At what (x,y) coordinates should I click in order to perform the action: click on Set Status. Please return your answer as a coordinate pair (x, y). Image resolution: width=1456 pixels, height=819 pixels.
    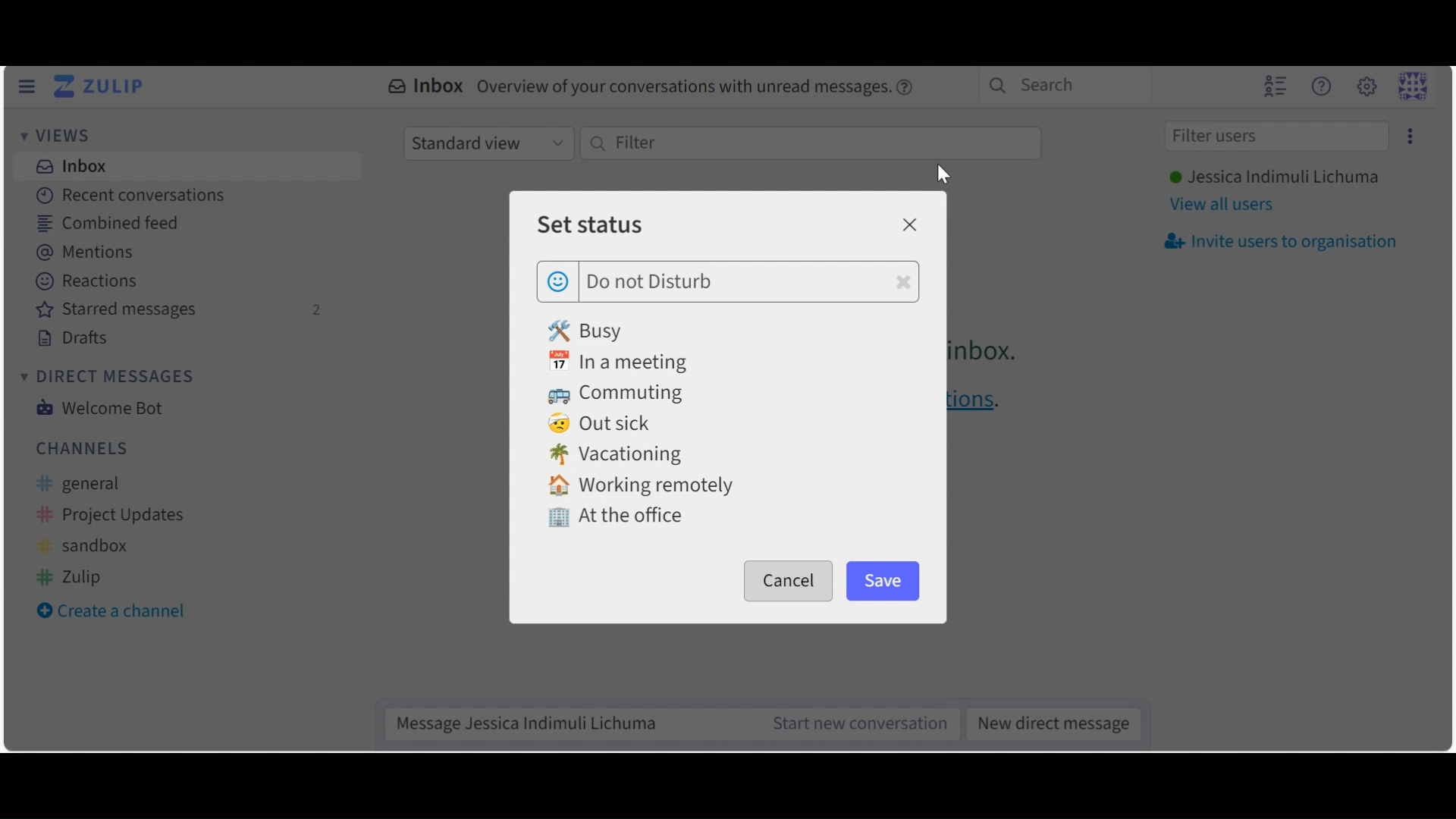
    Looking at the image, I should click on (589, 224).